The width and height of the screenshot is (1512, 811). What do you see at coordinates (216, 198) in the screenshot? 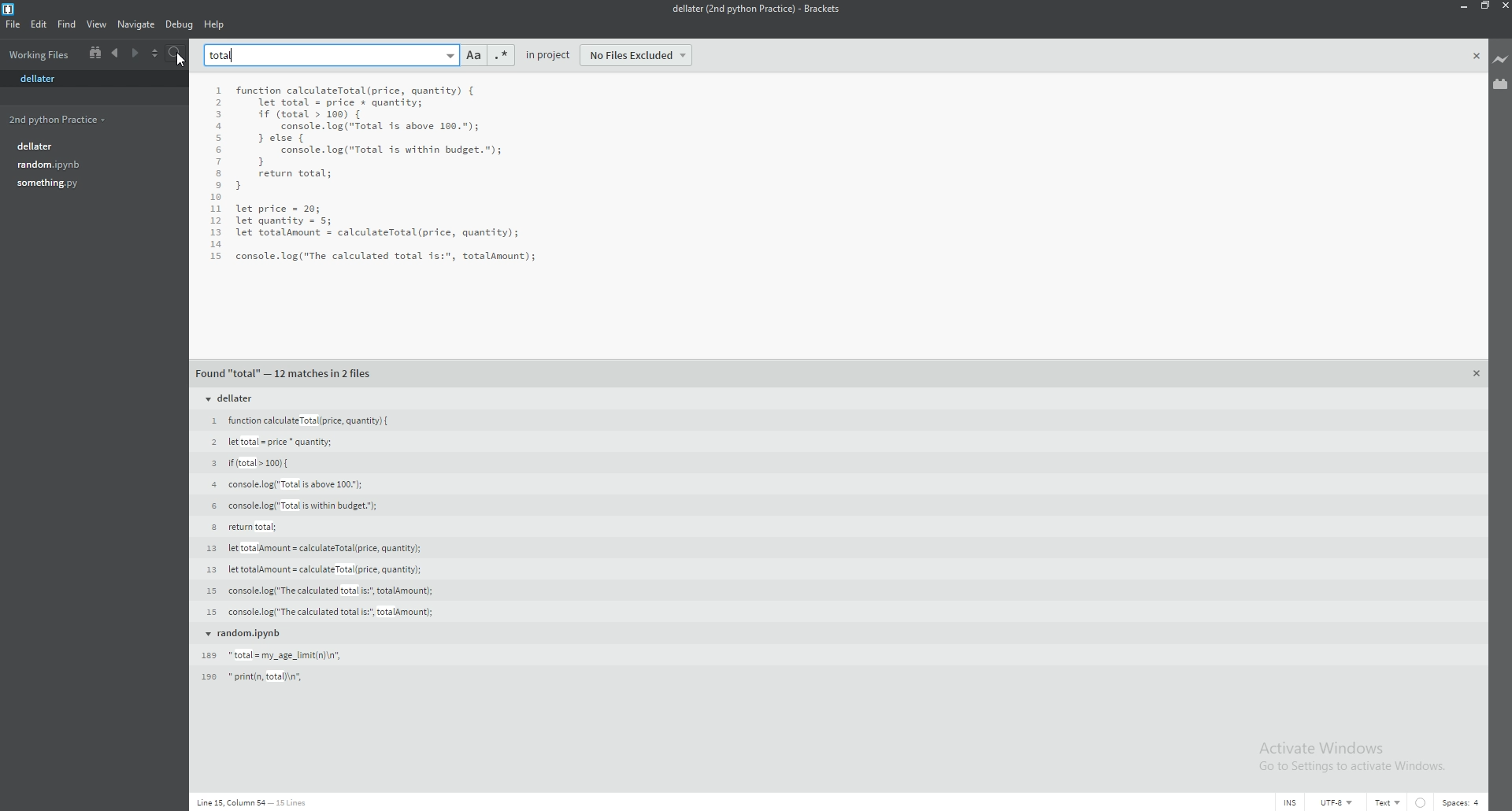
I see `10` at bounding box center [216, 198].